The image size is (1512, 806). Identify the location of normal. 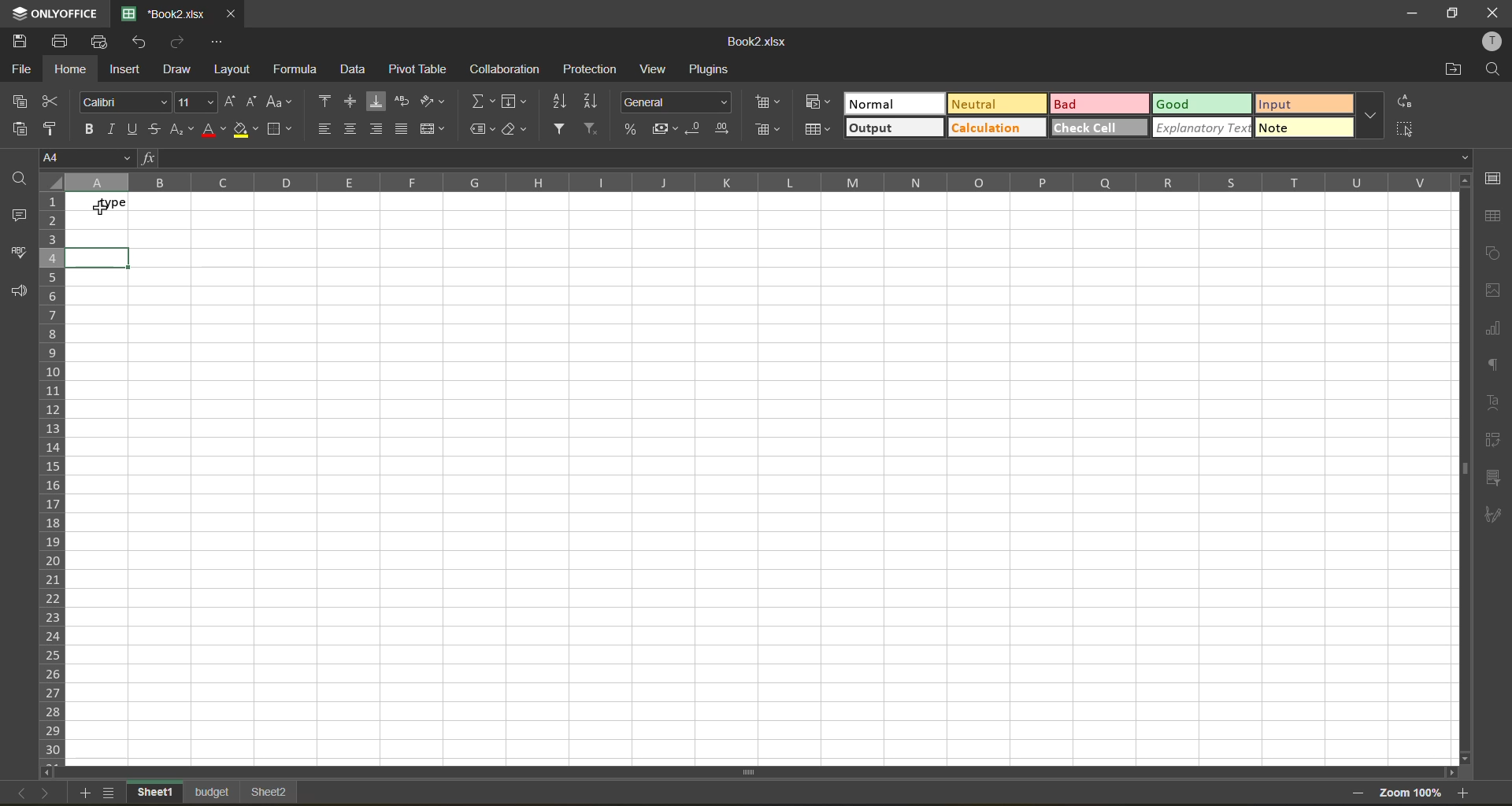
(894, 105).